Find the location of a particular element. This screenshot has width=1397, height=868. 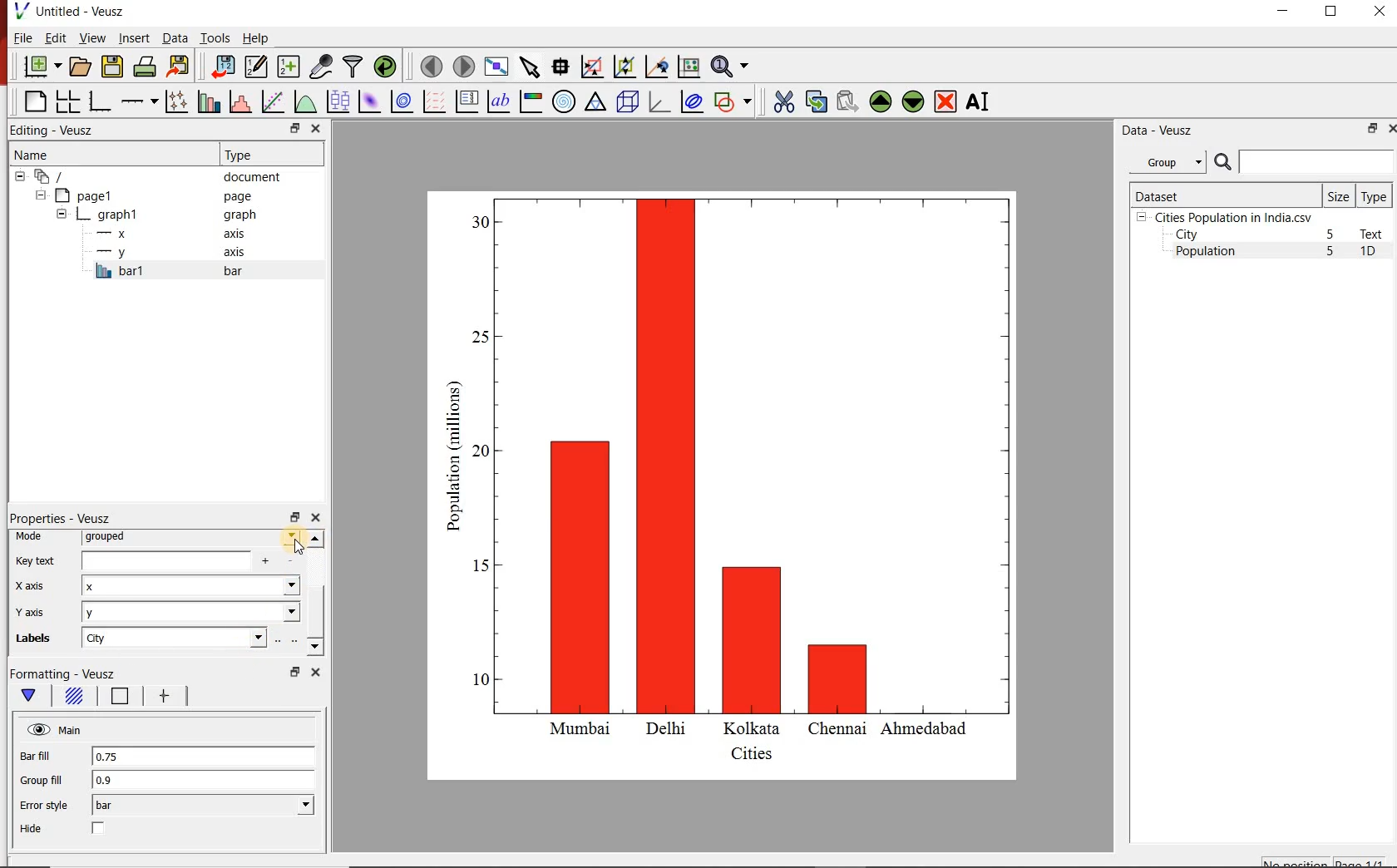

1D is located at coordinates (1375, 253).